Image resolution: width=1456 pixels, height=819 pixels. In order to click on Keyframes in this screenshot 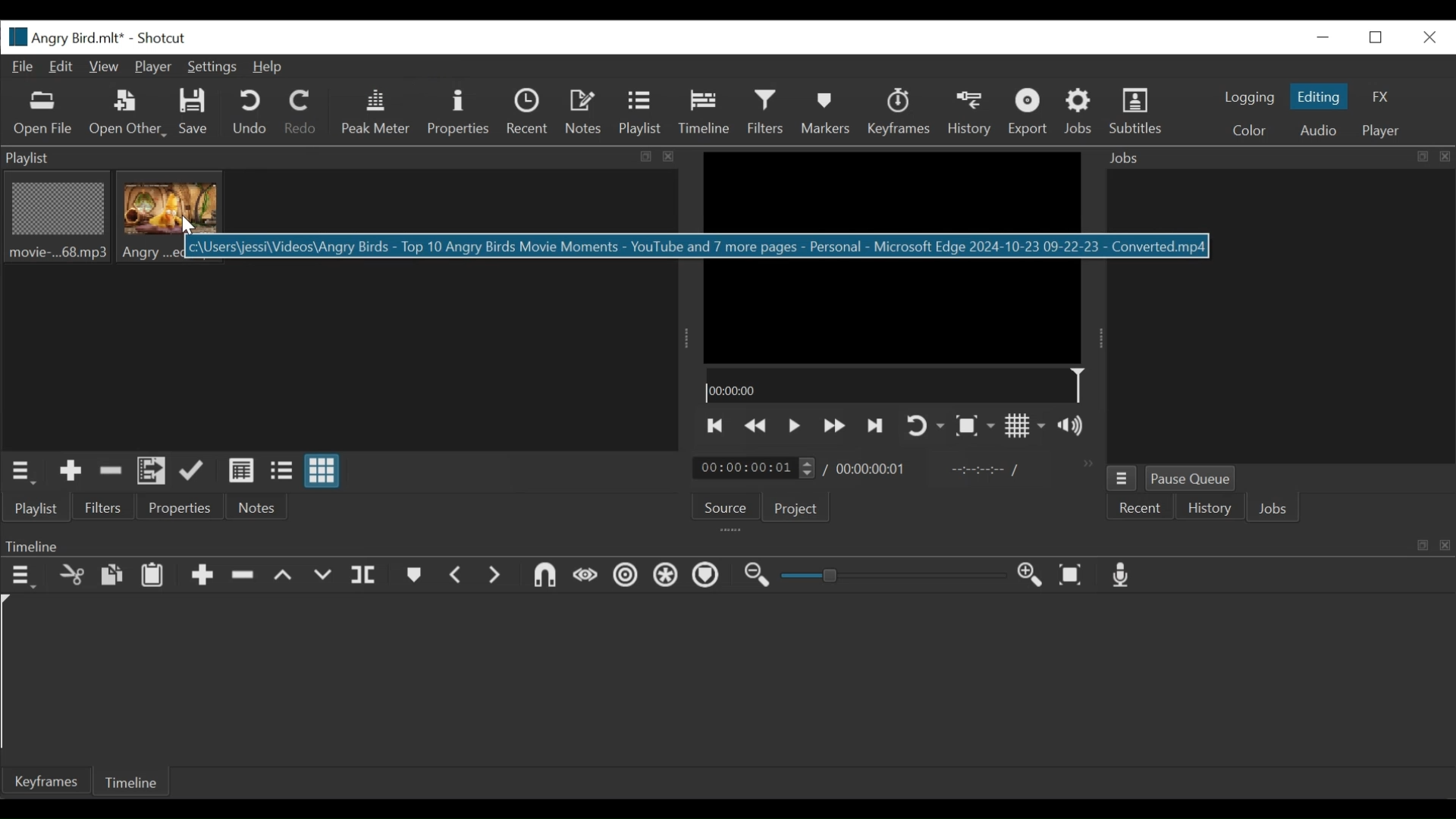, I will do `click(899, 113)`.